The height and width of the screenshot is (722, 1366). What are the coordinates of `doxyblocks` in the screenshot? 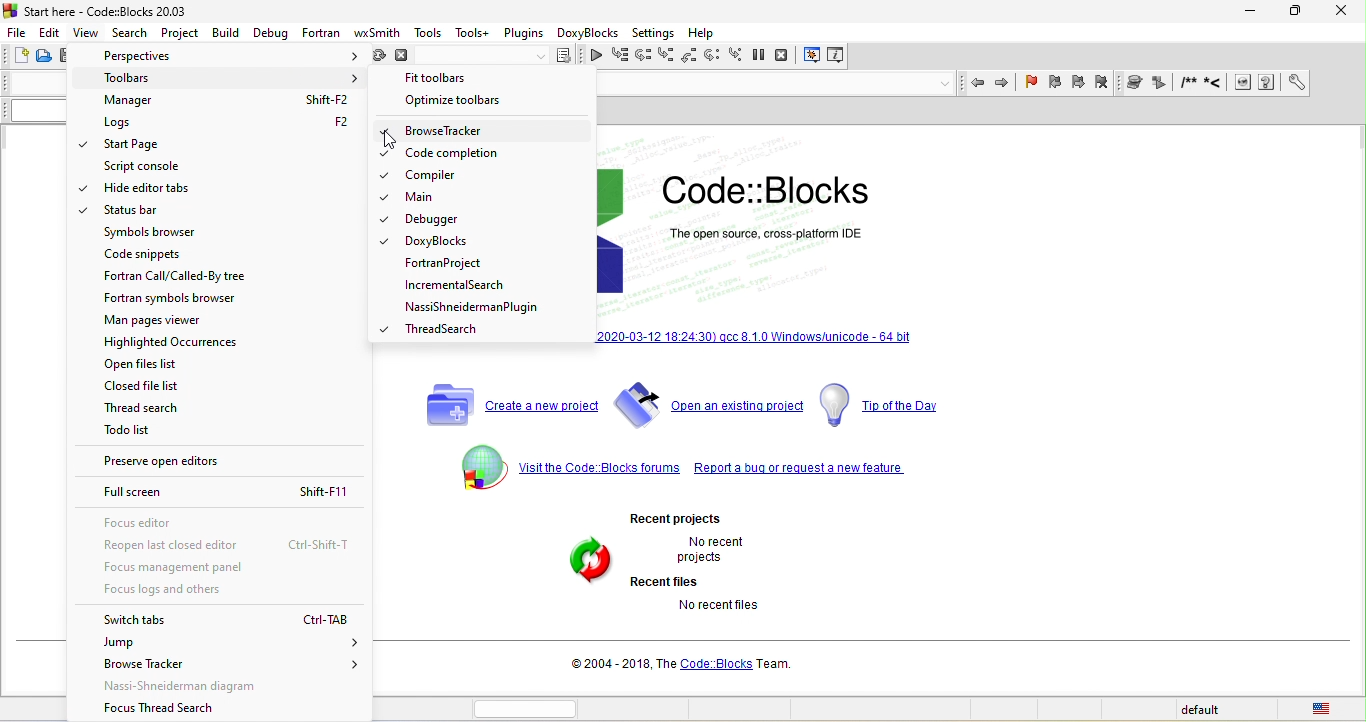 It's located at (591, 32).